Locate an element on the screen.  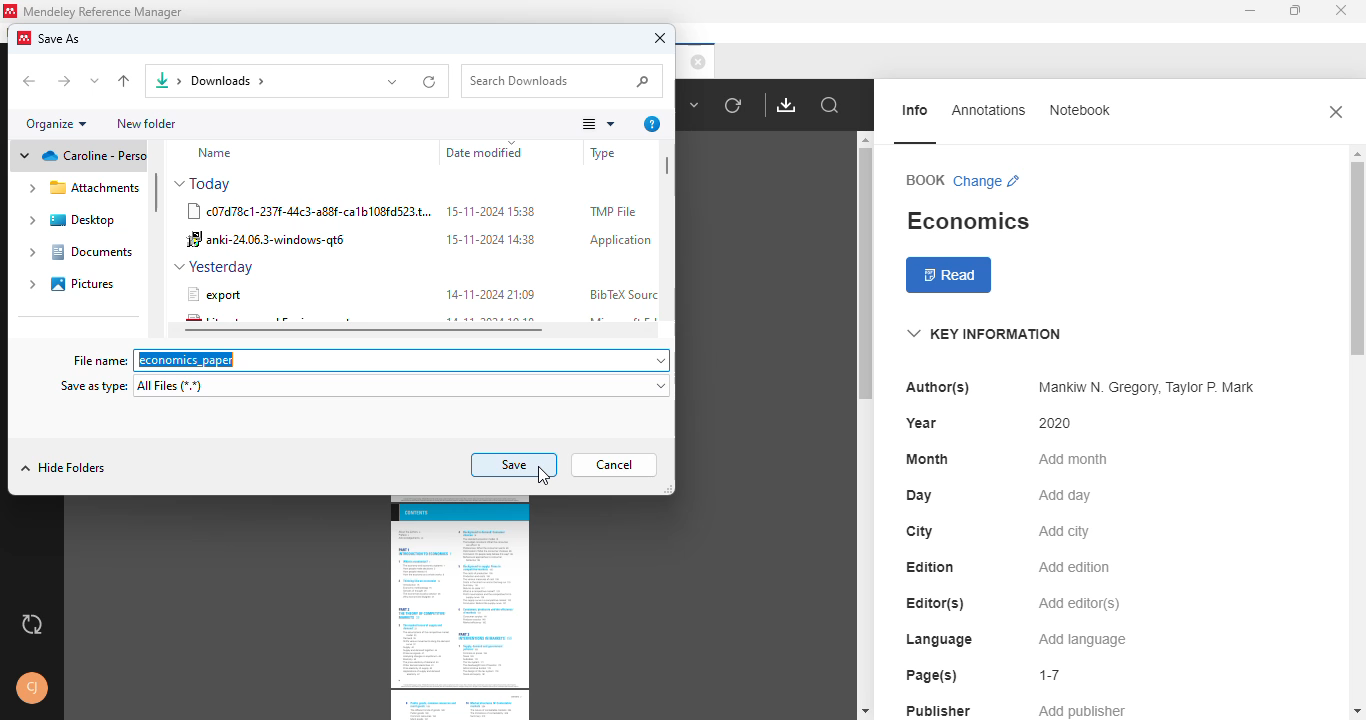
Caroline is located at coordinates (79, 156).